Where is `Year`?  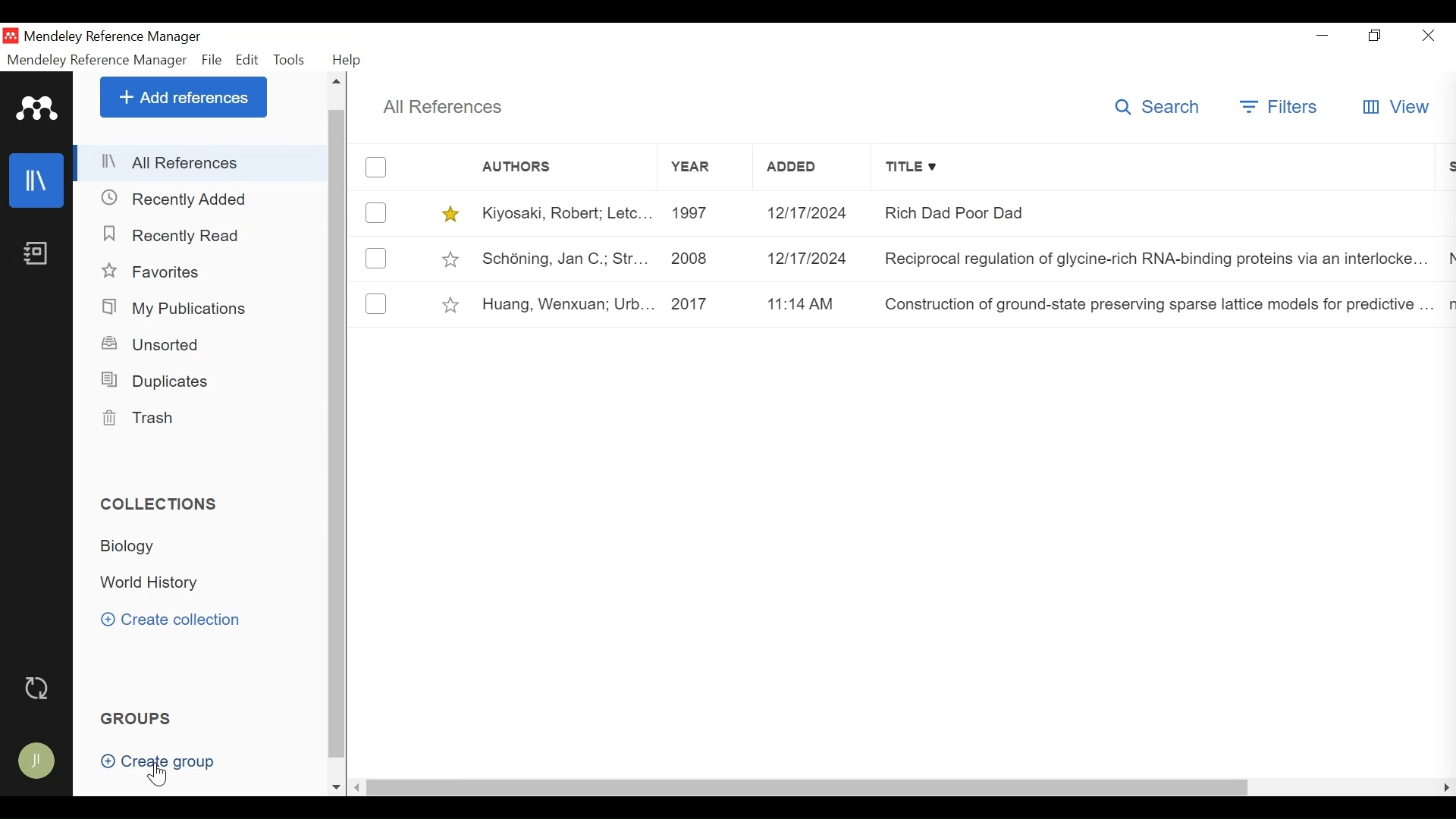 Year is located at coordinates (701, 169).